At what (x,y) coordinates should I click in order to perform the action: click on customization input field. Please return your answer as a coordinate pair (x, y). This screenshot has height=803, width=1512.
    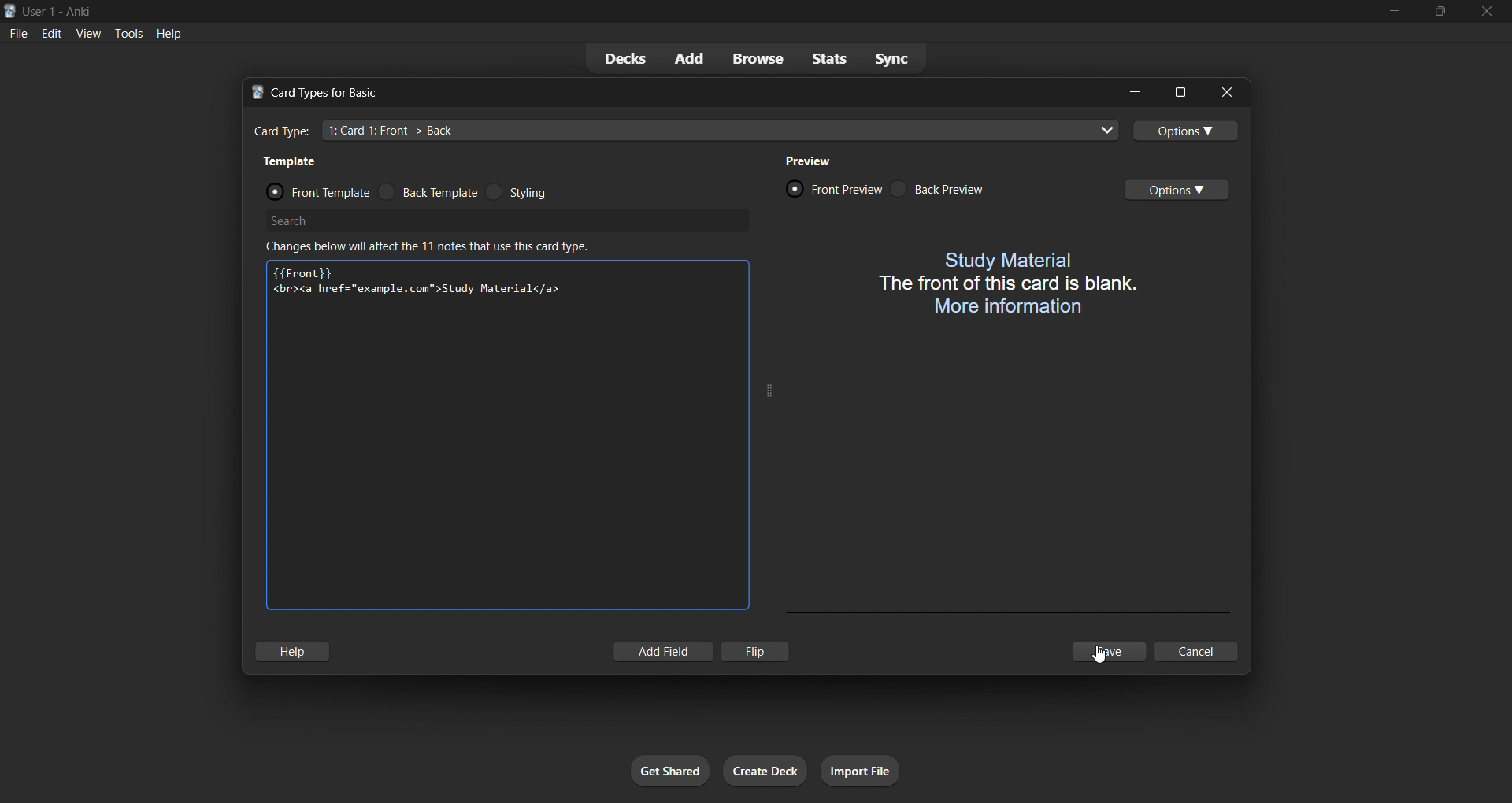
    Looking at the image, I should click on (502, 453).